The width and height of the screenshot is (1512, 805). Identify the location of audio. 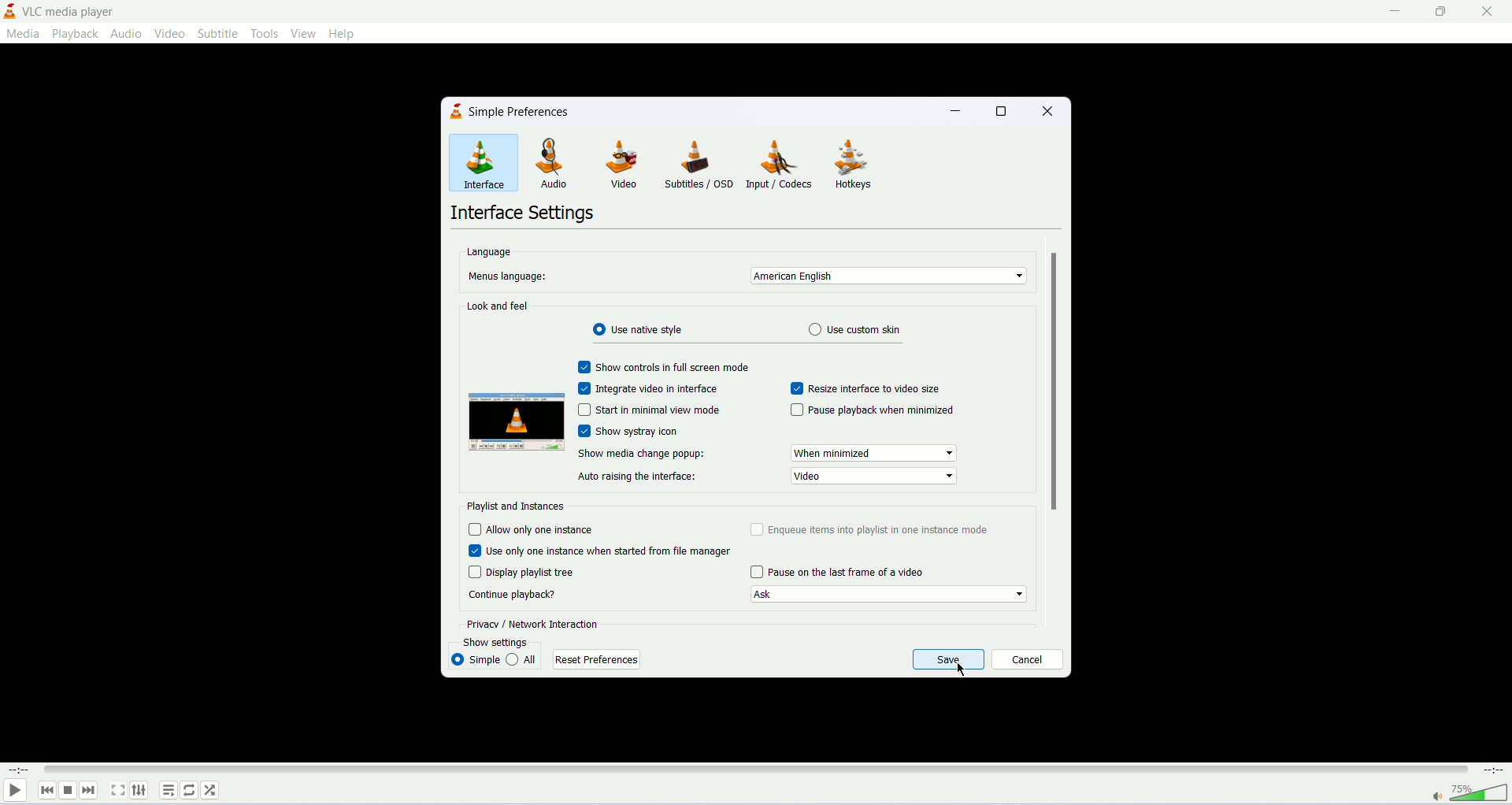
(560, 165).